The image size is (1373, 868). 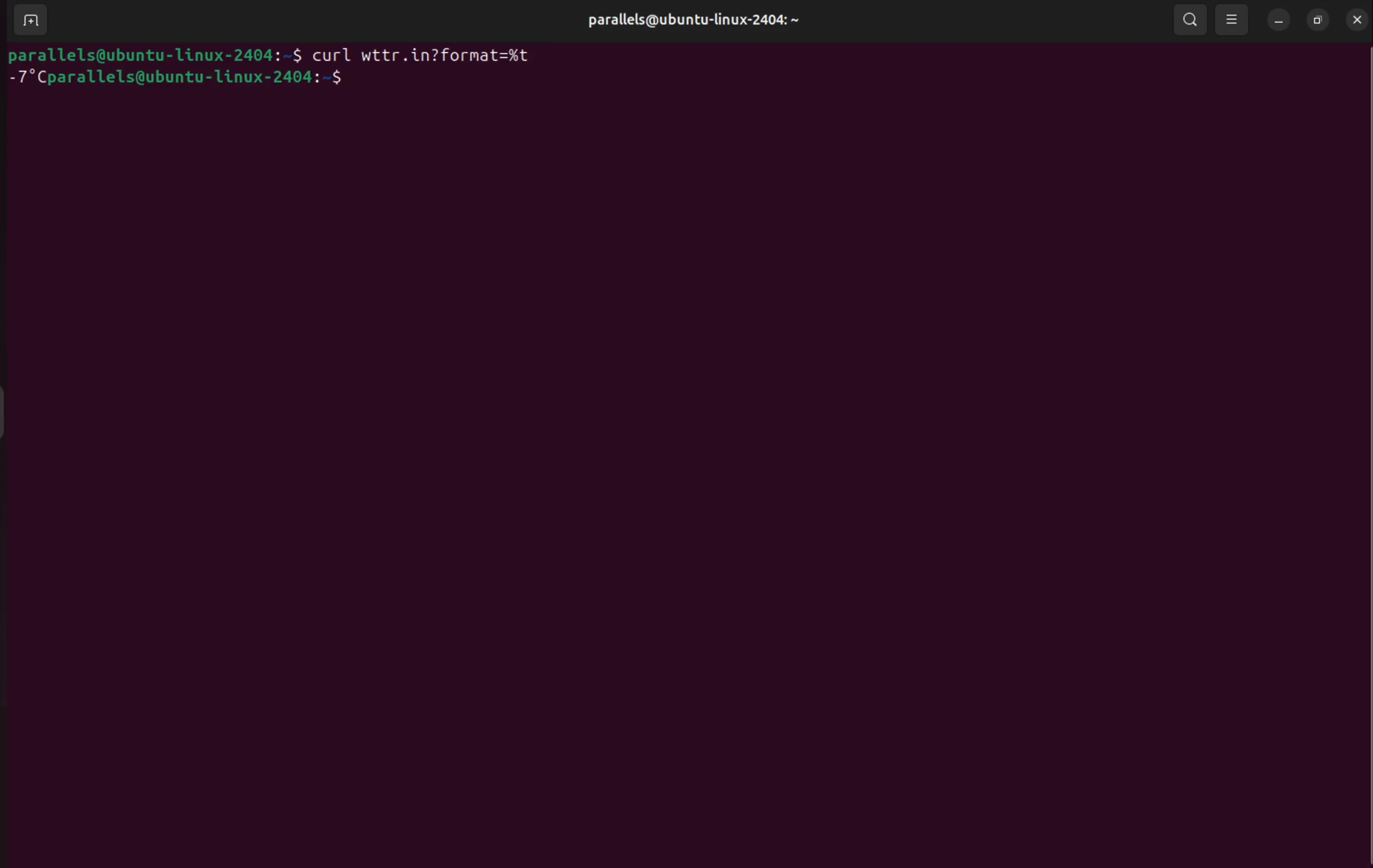 I want to click on bash prompts, so click(x=151, y=51).